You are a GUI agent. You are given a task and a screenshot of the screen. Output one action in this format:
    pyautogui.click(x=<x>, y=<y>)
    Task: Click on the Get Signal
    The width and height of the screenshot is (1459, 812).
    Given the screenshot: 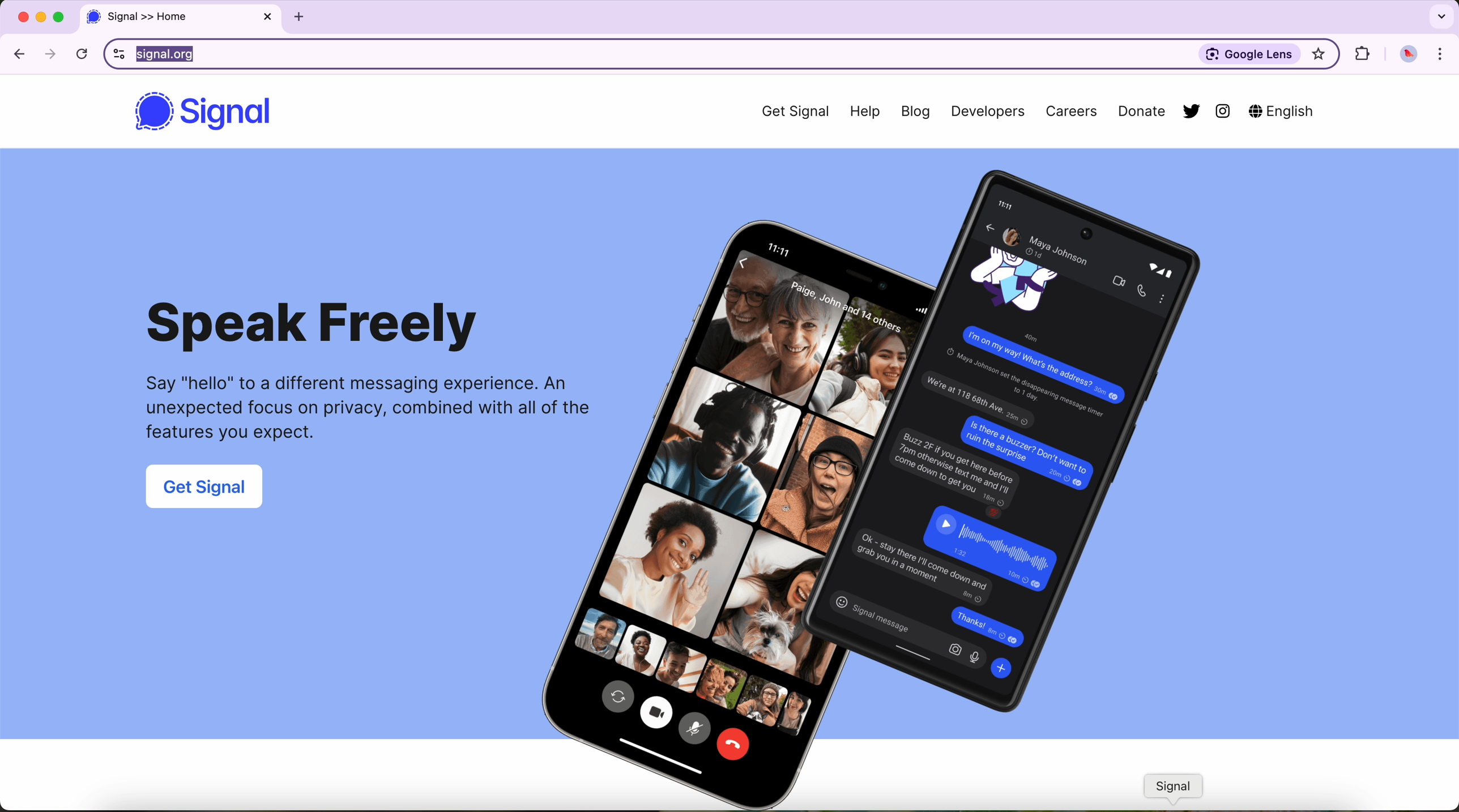 What is the action you would take?
    pyautogui.click(x=786, y=111)
    